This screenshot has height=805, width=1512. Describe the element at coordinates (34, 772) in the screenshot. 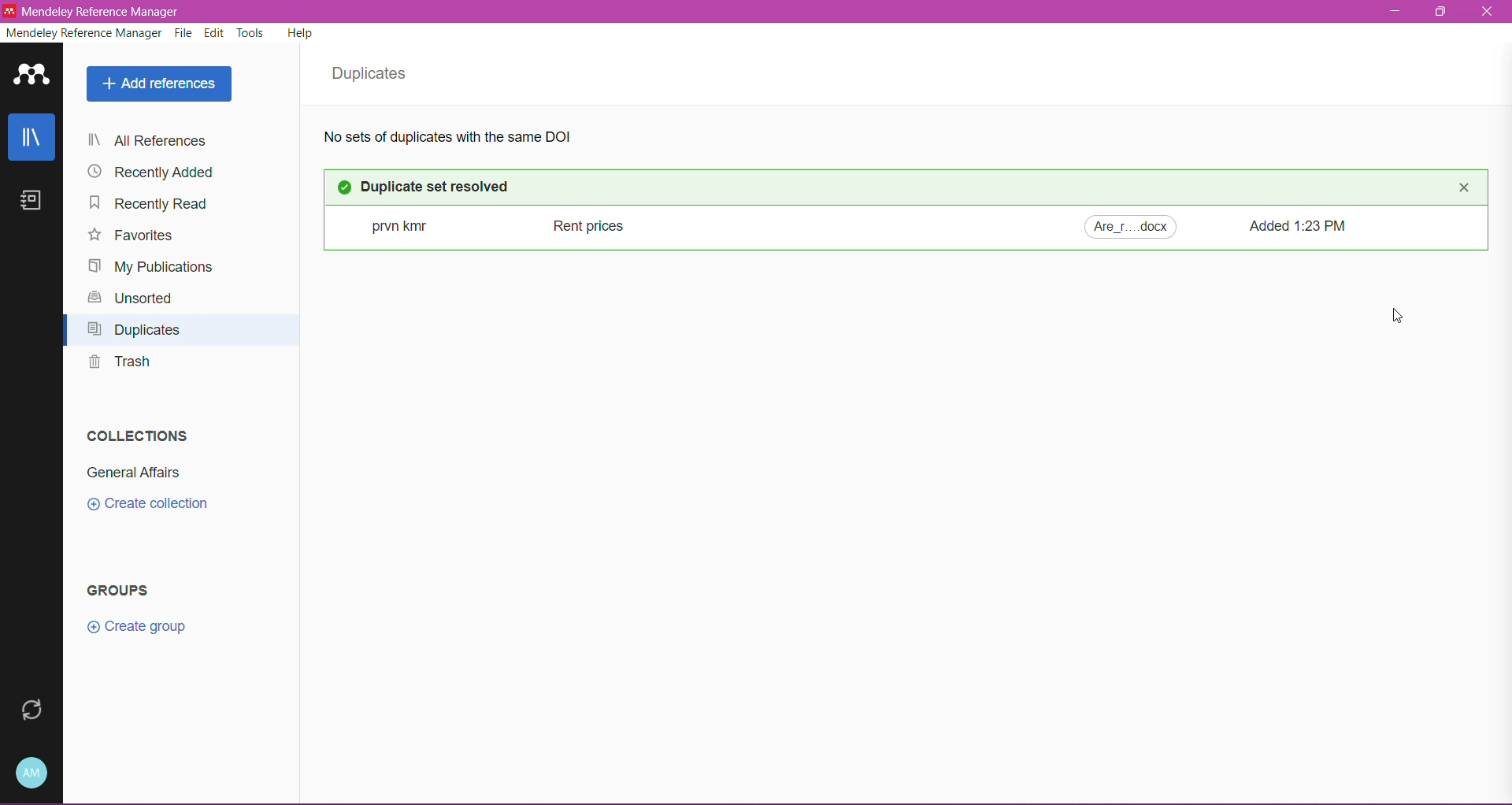

I see `Account and Help` at that location.